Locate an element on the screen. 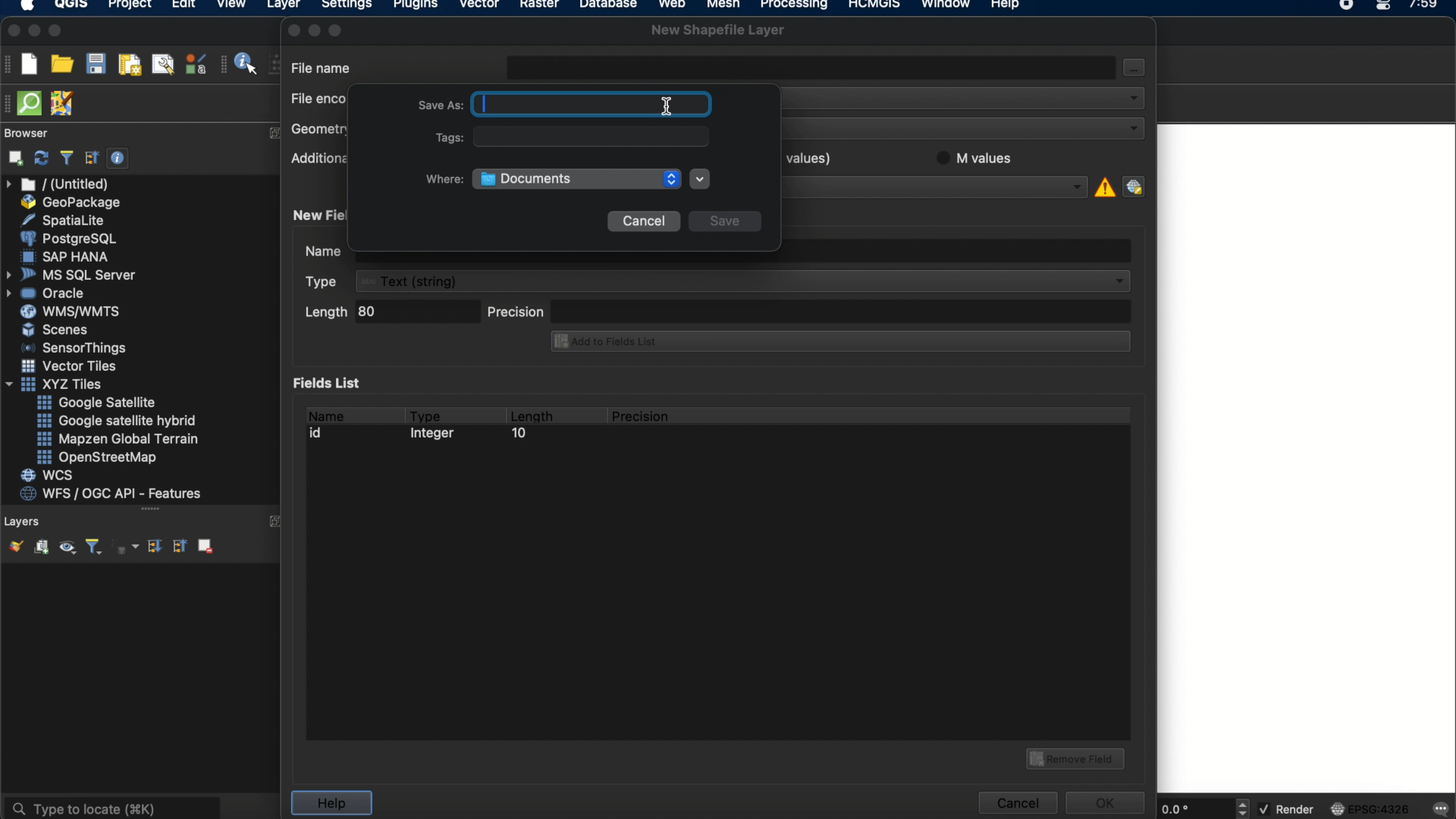  recorder icon is located at coordinates (1348, 6).